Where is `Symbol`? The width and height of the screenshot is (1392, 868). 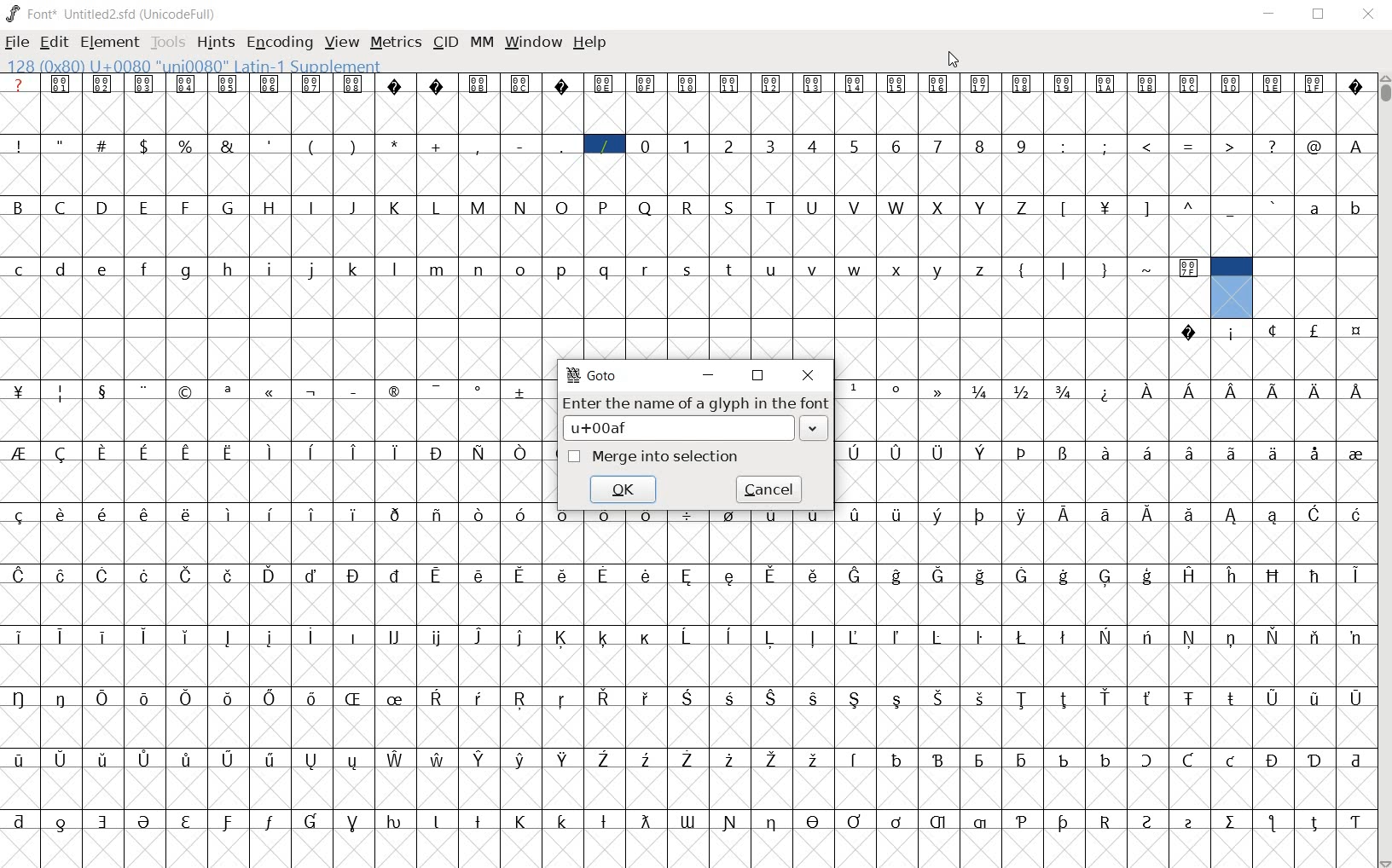
Symbol is located at coordinates (1354, 83).